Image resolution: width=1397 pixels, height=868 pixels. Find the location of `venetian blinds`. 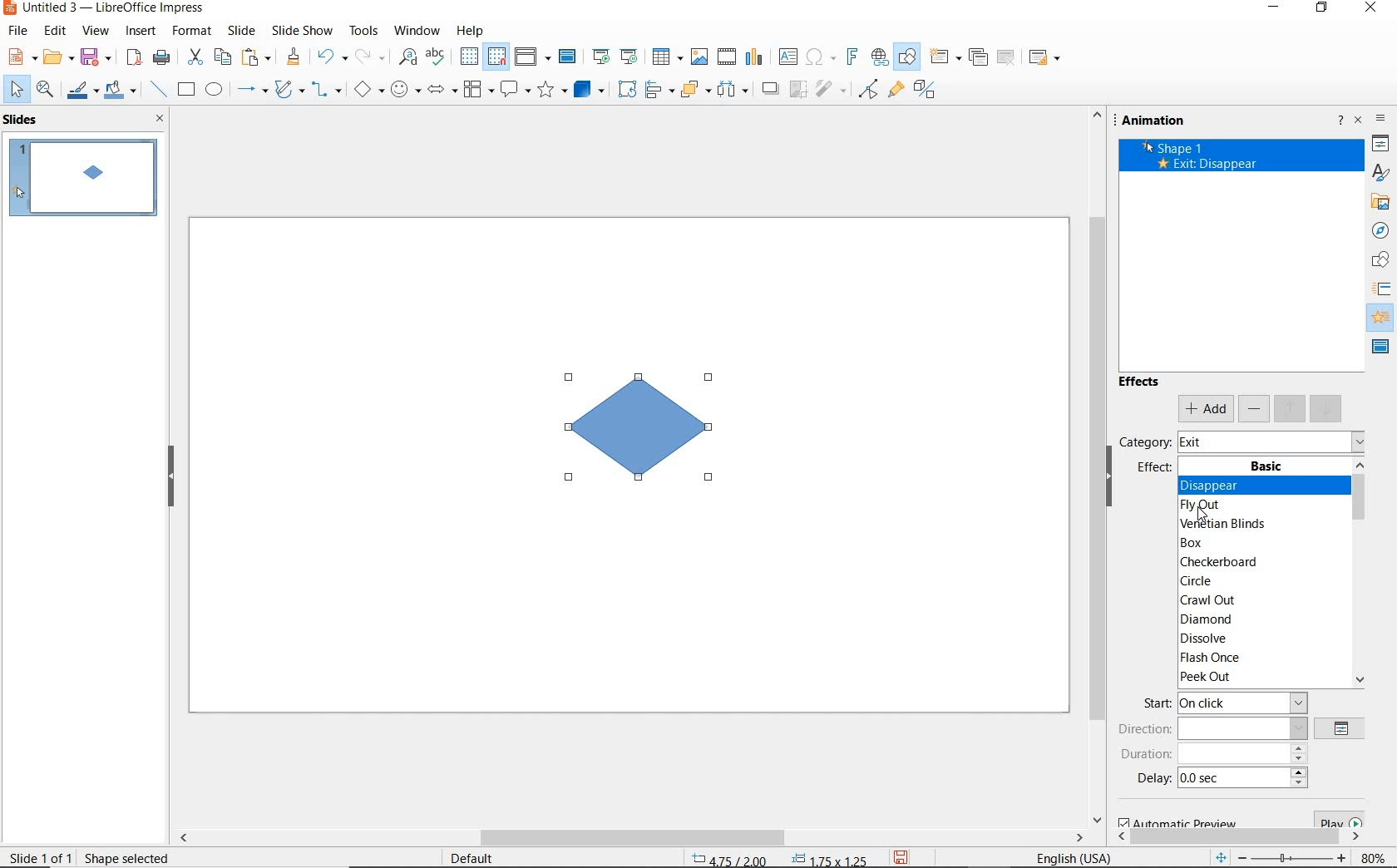

venetian blinds is located at coordinates (1258, 524).